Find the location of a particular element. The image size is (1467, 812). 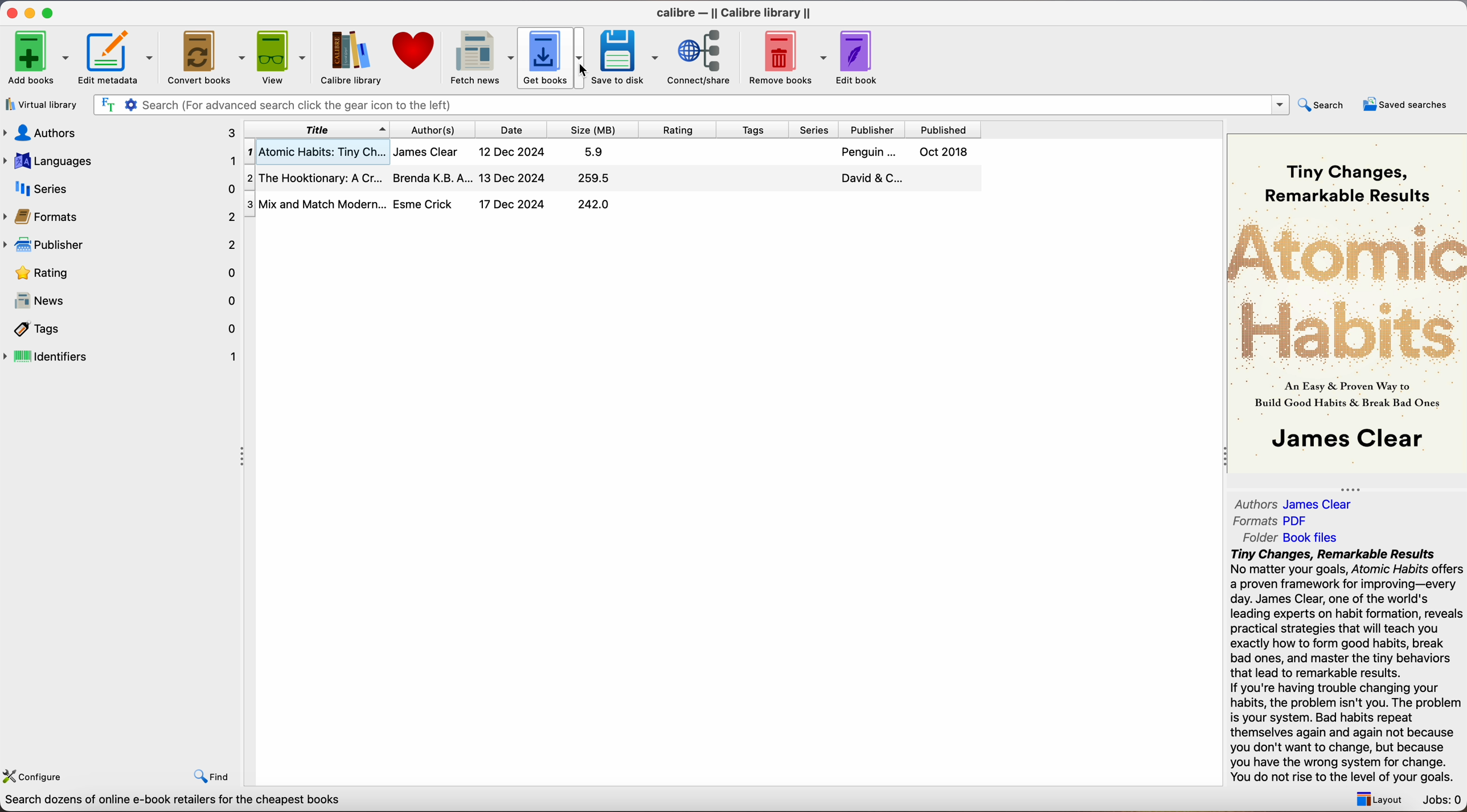

Jobs: 0 is located at coordinates (1443, 801).